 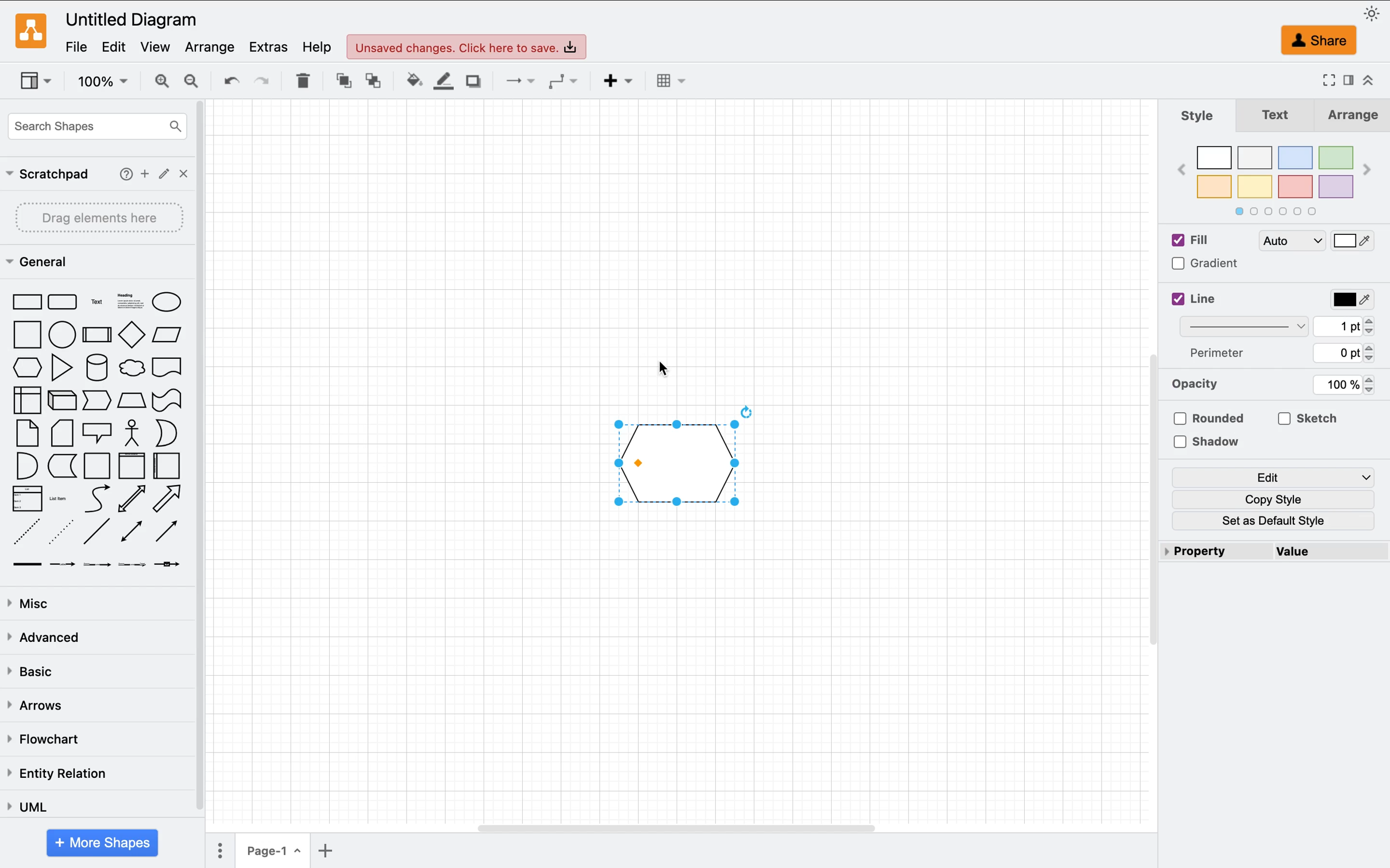 What do you see at coordinates (439, 81) in the screenshot?
I see `line color` at bounding box center [439, 81].